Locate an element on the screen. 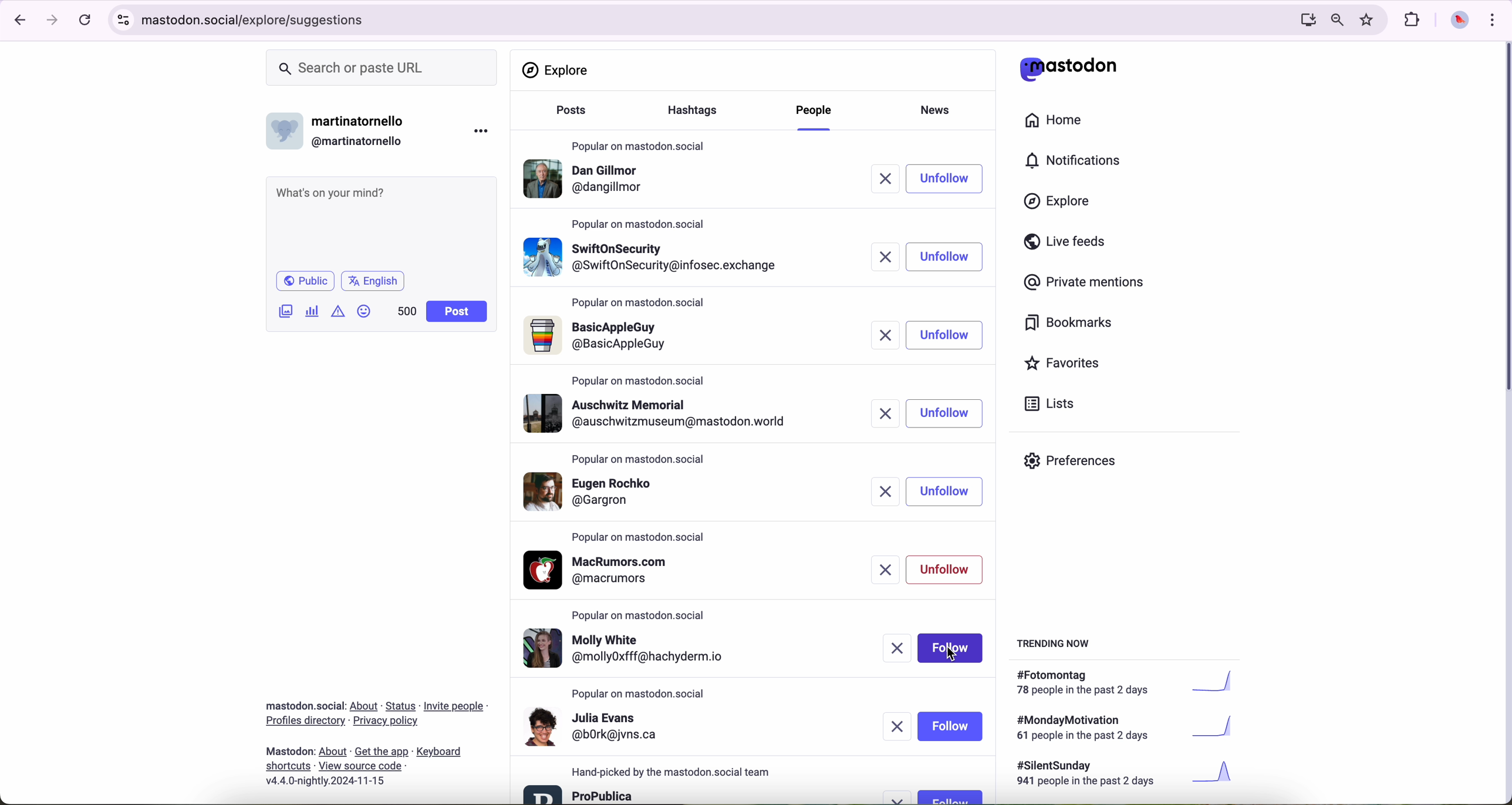  popular on mastodon.social is located at coordinates (640, 538).